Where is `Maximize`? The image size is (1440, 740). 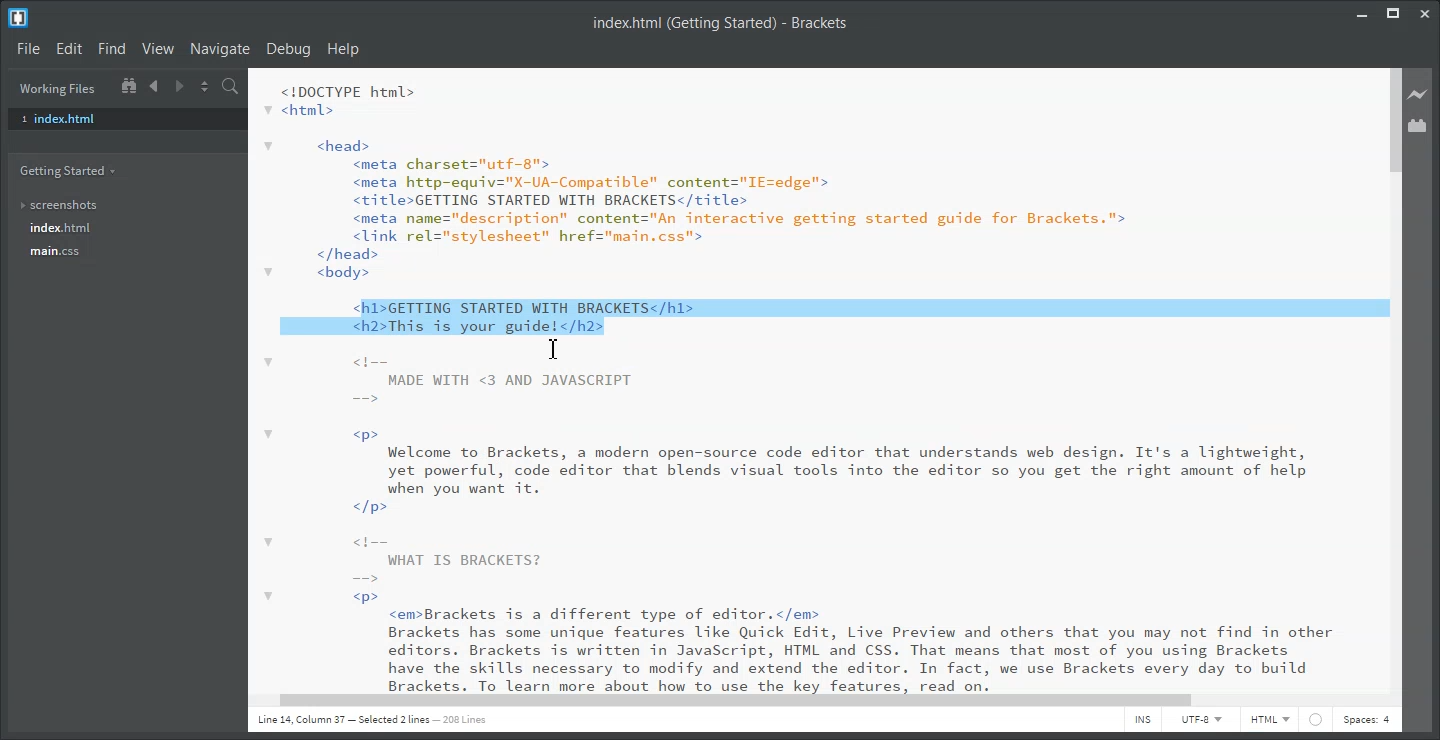 Maximize is located at coordinates (1394, 13).